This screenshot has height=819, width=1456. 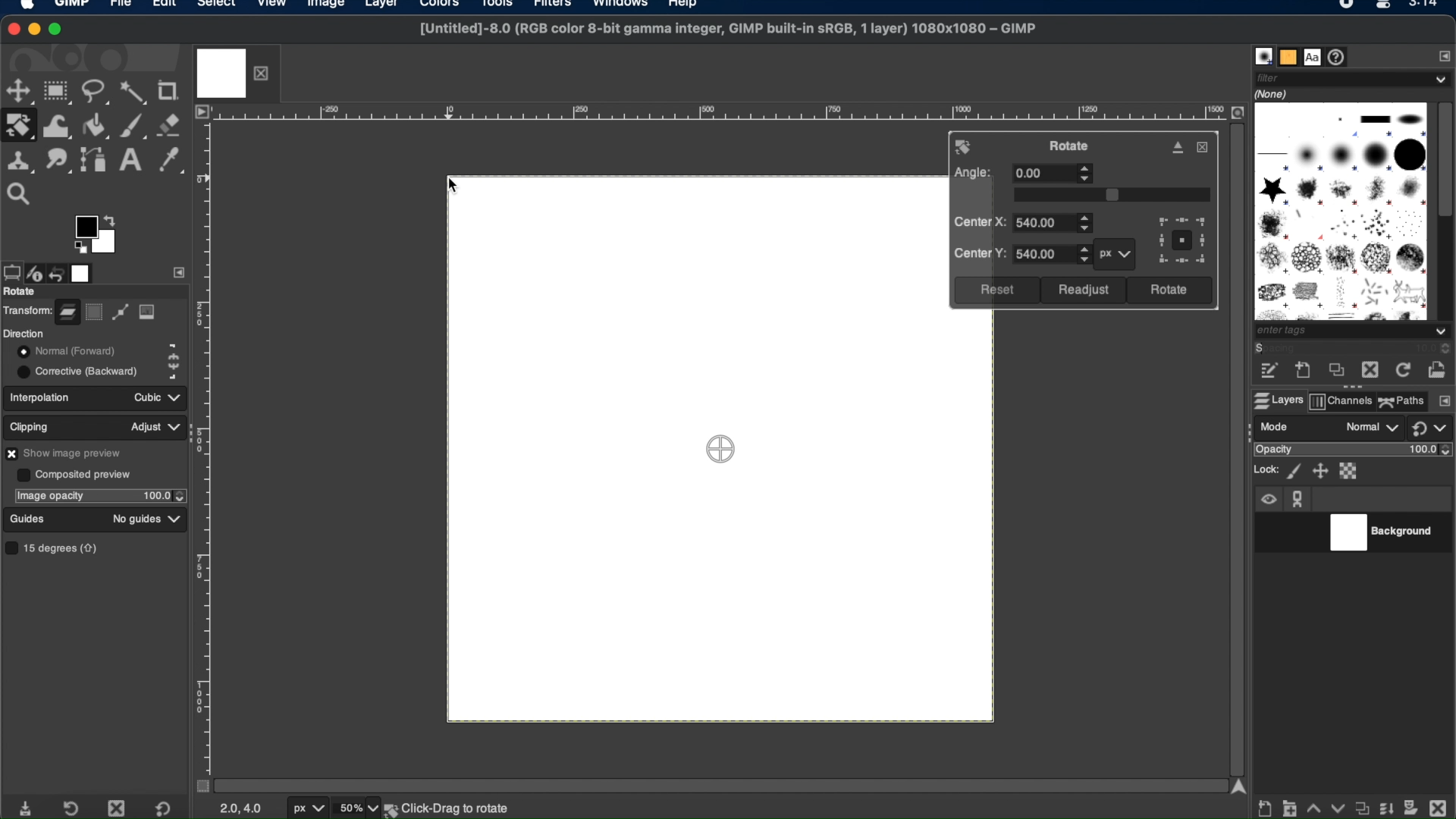 What do you see at coordinates (1354, 332) in the screenshot?
I see `tags dropdown` at bounding box center [1354, 332].